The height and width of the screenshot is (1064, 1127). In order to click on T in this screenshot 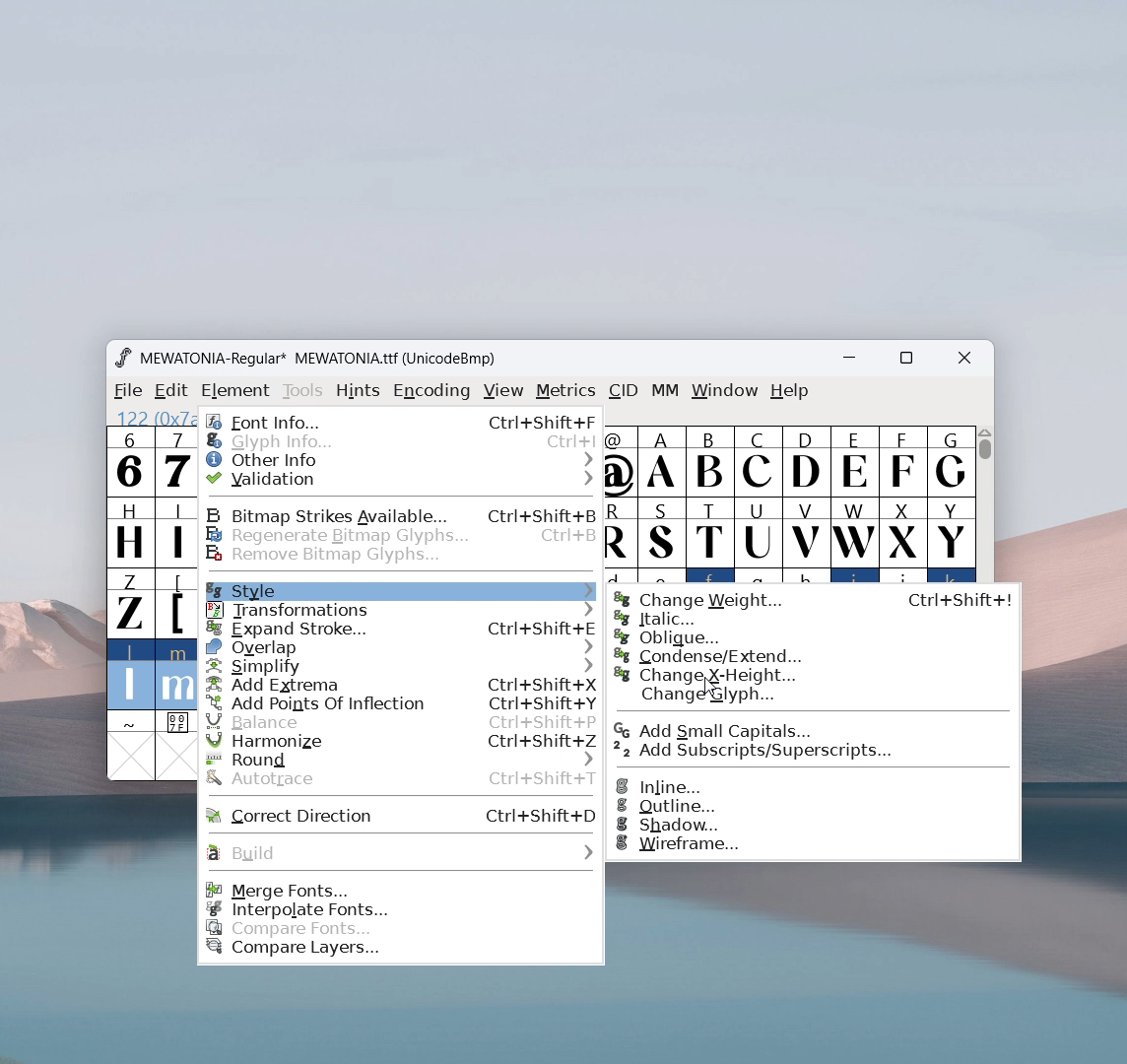, I will do `click(711, 533)`.